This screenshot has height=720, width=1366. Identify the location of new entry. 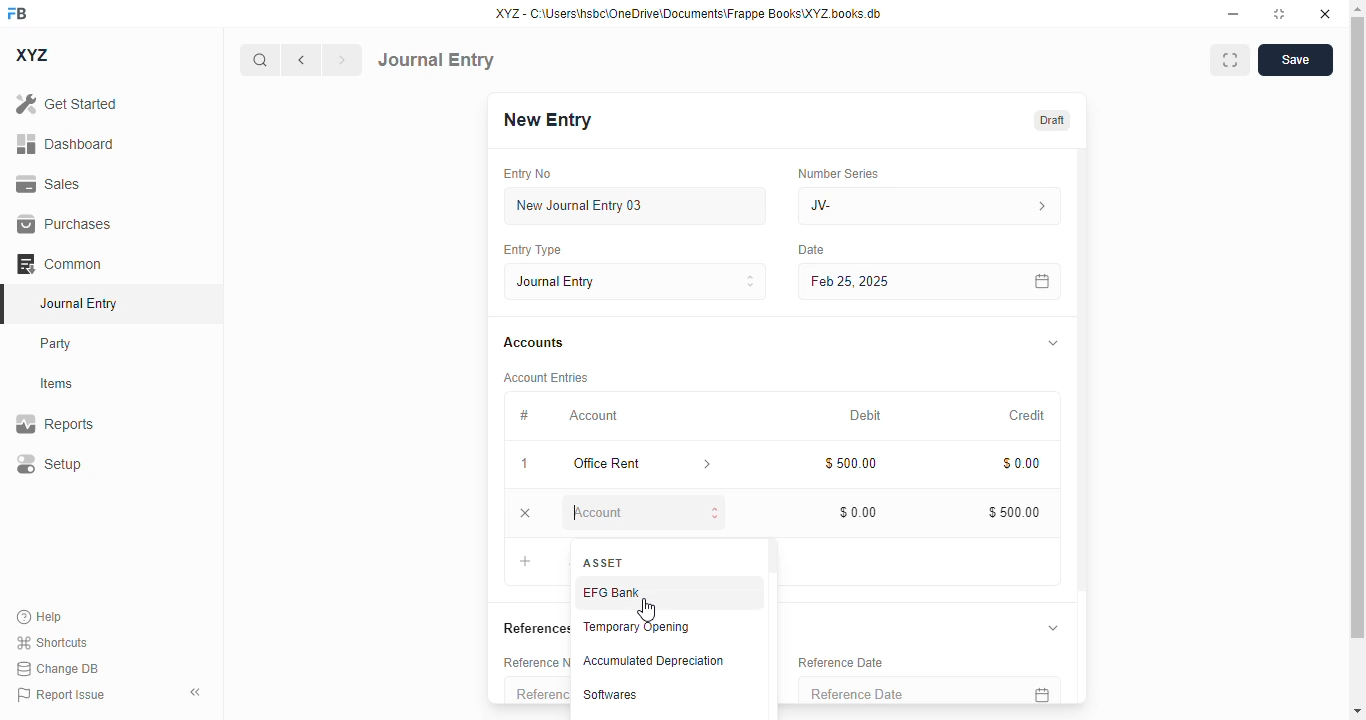
(546, 119).